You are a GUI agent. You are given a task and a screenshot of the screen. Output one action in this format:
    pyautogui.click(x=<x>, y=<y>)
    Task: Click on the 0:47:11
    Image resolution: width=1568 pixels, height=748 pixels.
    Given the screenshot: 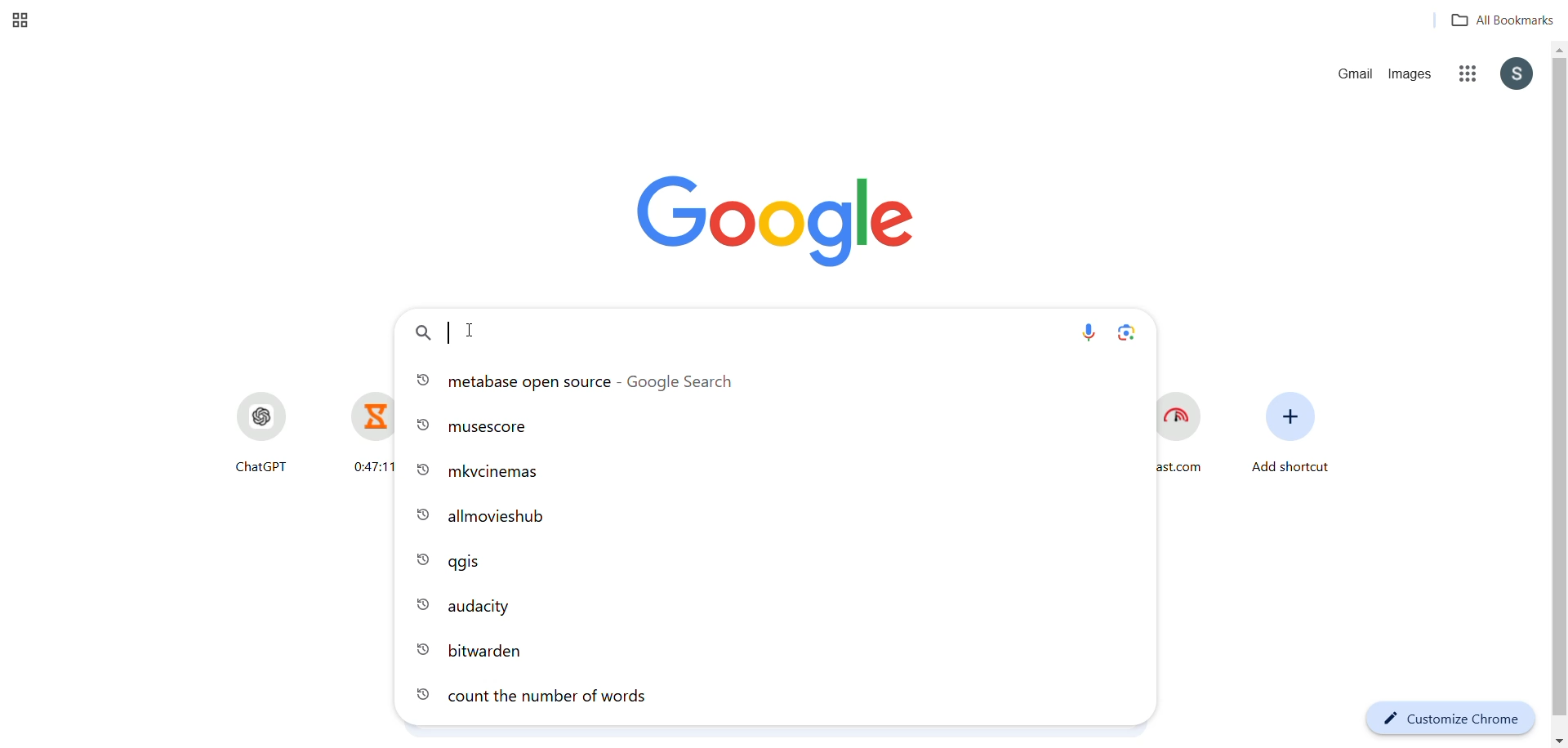 What is the action you would take?
    pyautogui.click(x=360, y=433)
    